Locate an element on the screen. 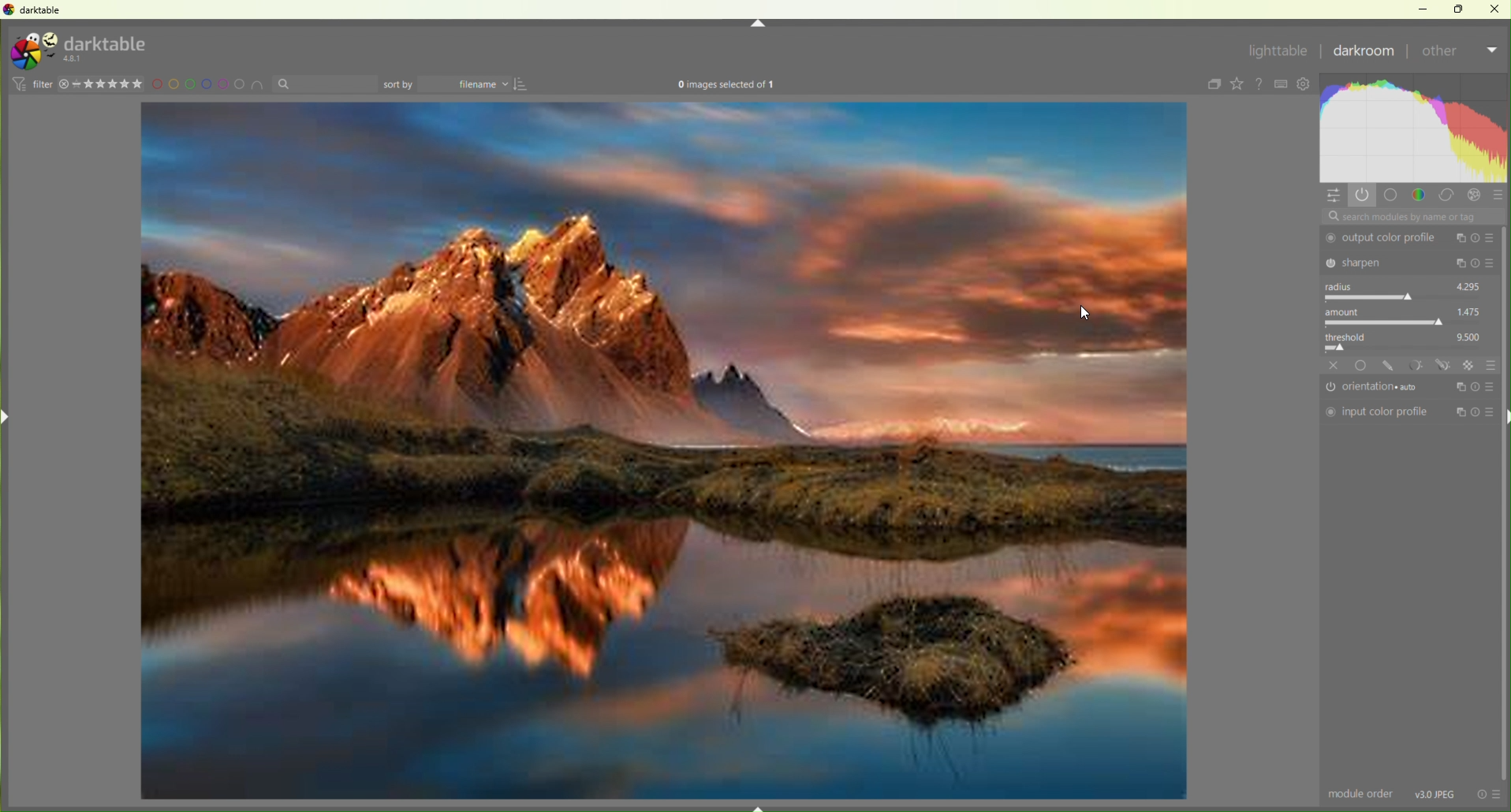  Effects is located at coordinates (1470, 365).